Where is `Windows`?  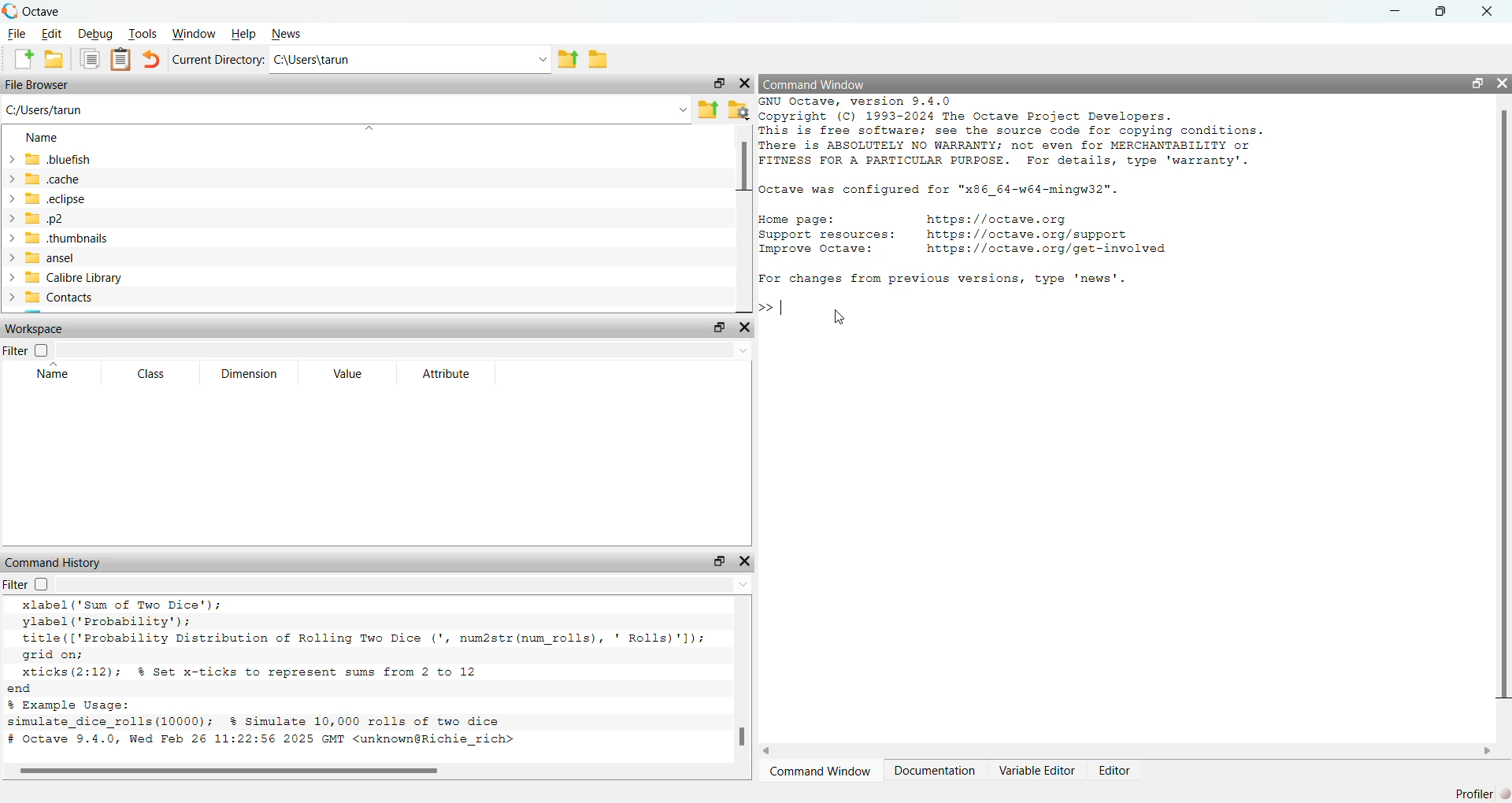
Windows is located at coordinates (194, 34).